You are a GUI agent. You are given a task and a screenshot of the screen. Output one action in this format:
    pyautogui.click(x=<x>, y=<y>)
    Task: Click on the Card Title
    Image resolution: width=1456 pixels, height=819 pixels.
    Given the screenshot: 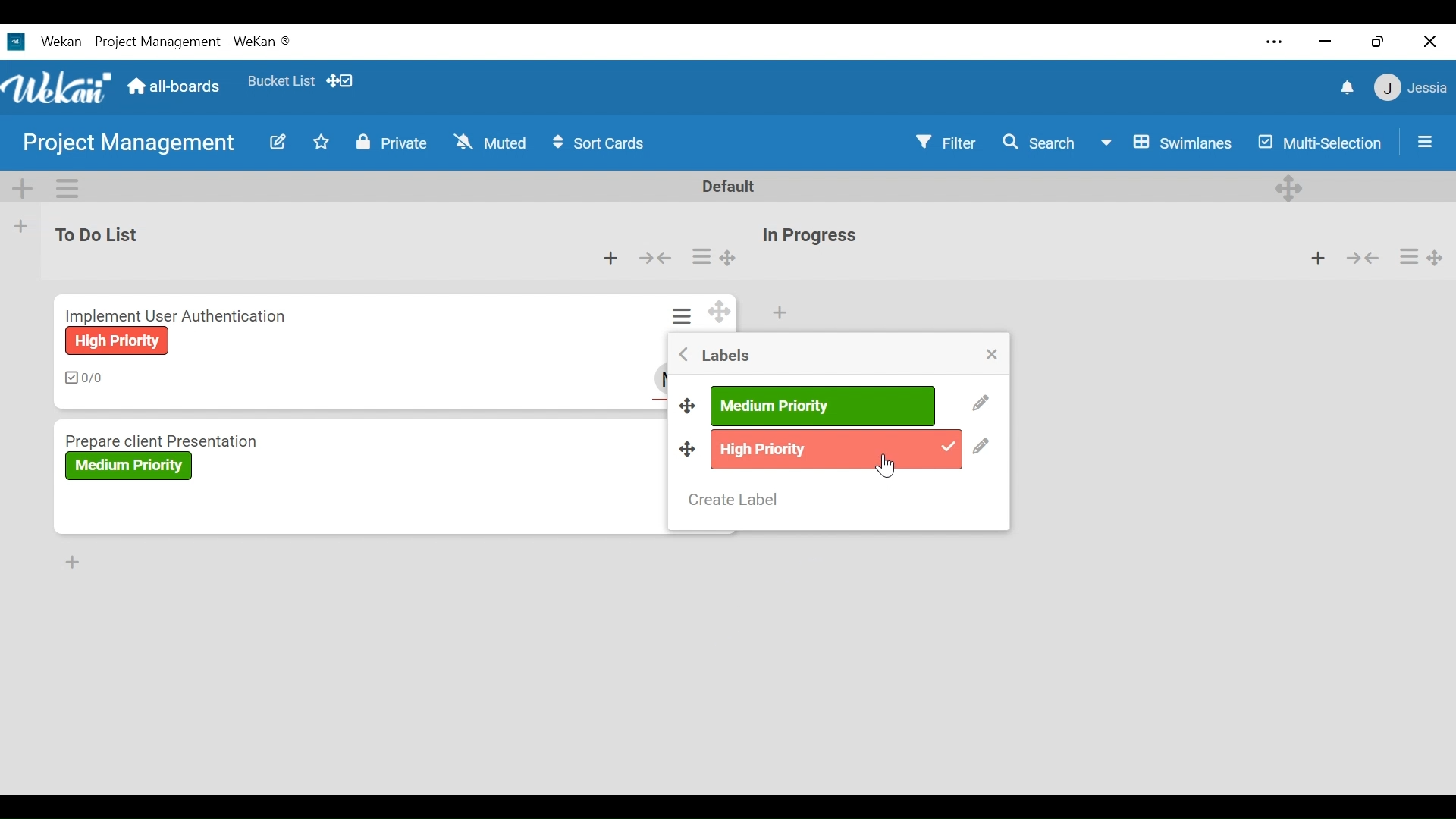 What is the action you would take?
    pyautogui.click(x=218, y=439)
    